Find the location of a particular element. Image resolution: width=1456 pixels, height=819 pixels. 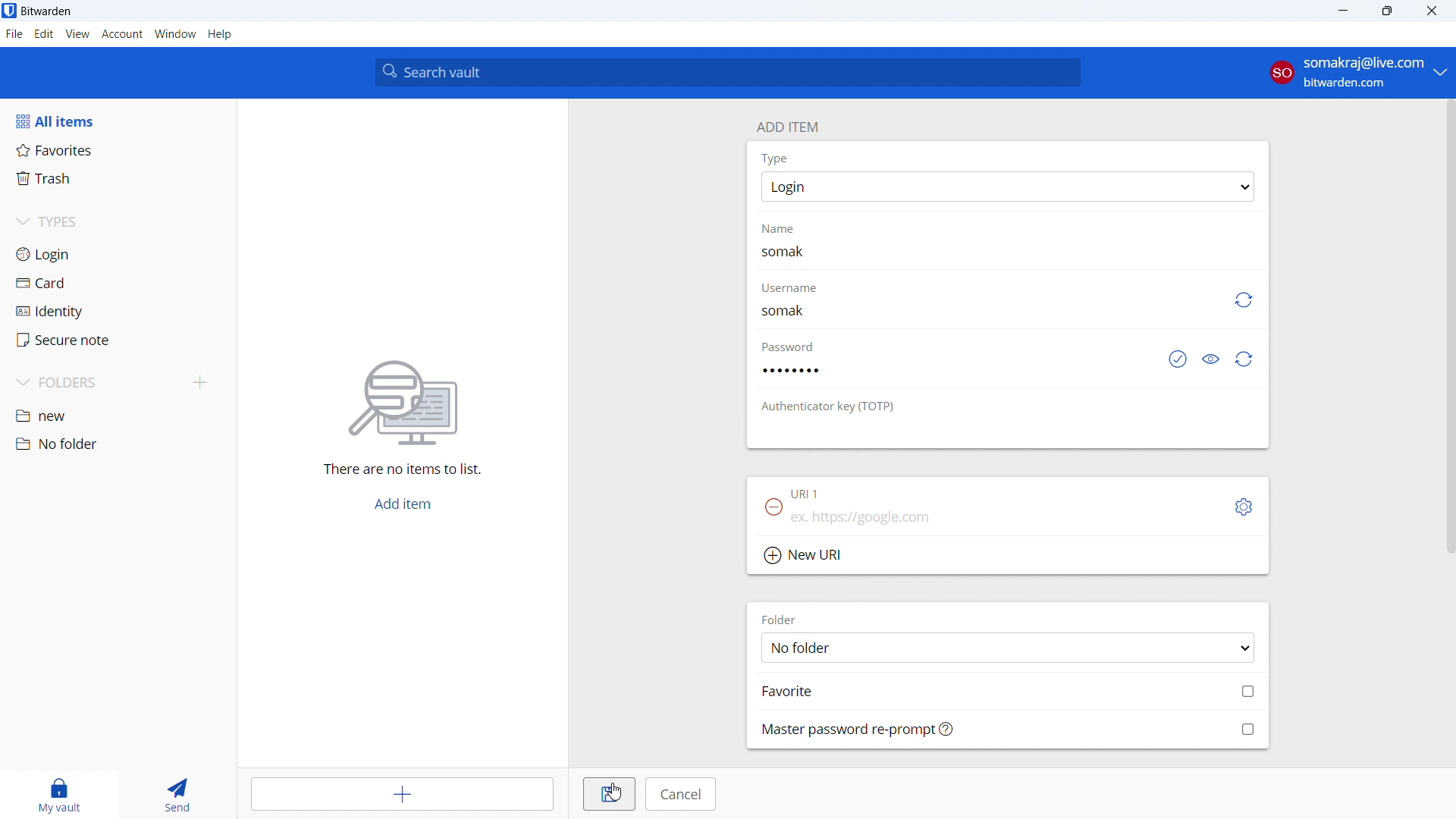

add item is located at coordinates (786, 125).